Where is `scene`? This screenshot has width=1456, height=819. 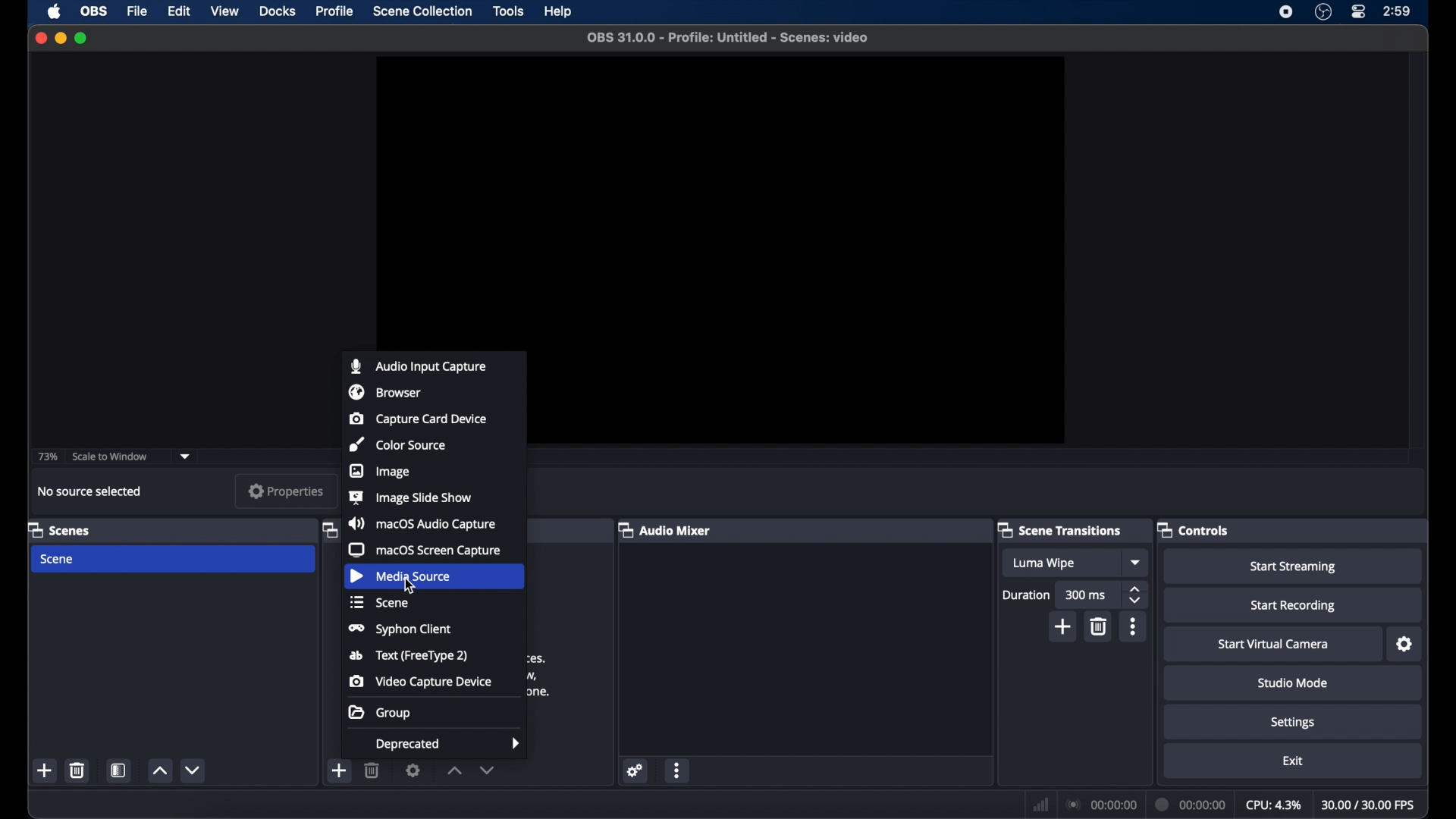 scene is located at coordinates (378, 602).